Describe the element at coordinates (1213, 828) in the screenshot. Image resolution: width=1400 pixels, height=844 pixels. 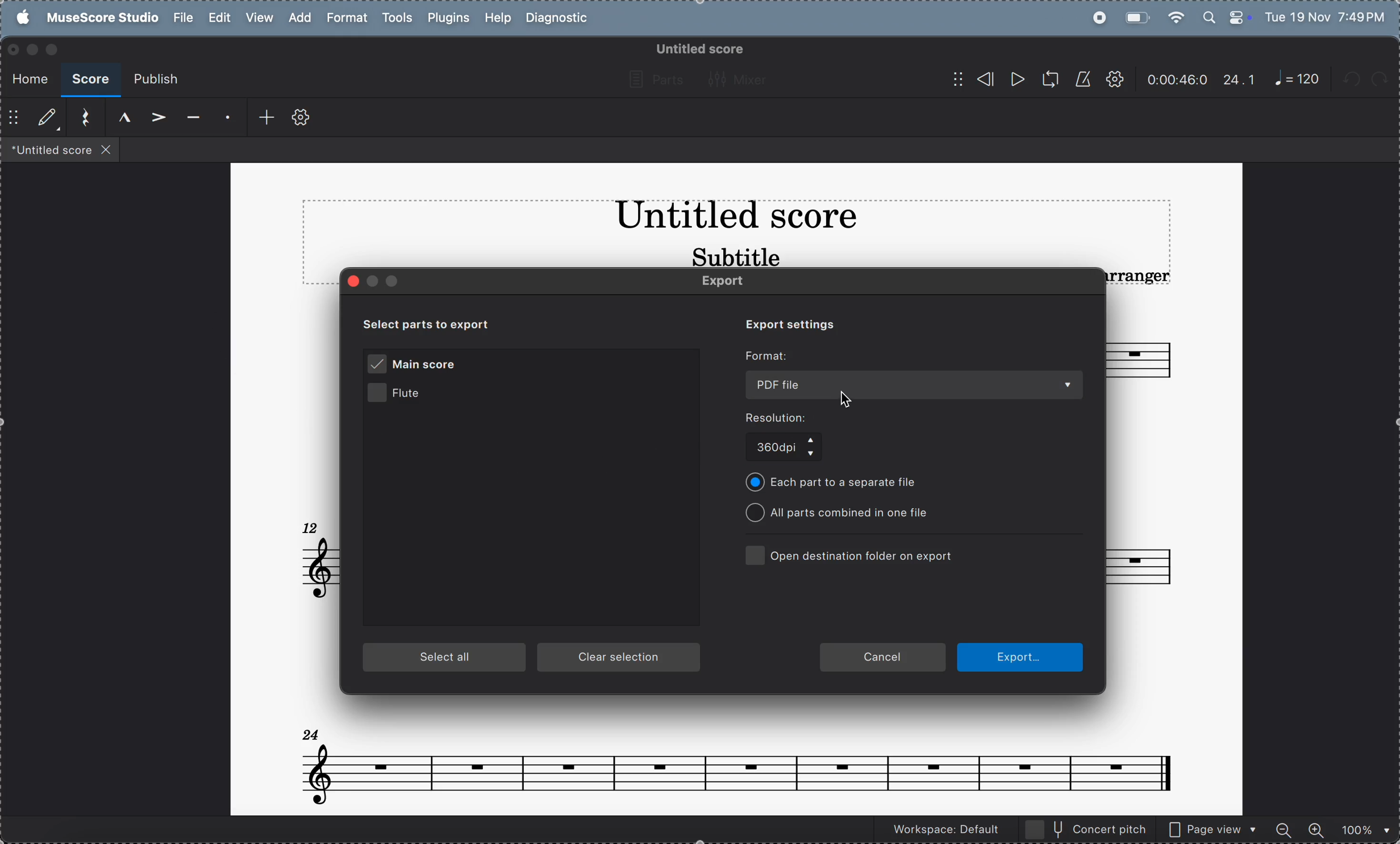
I see `page view` at that location.